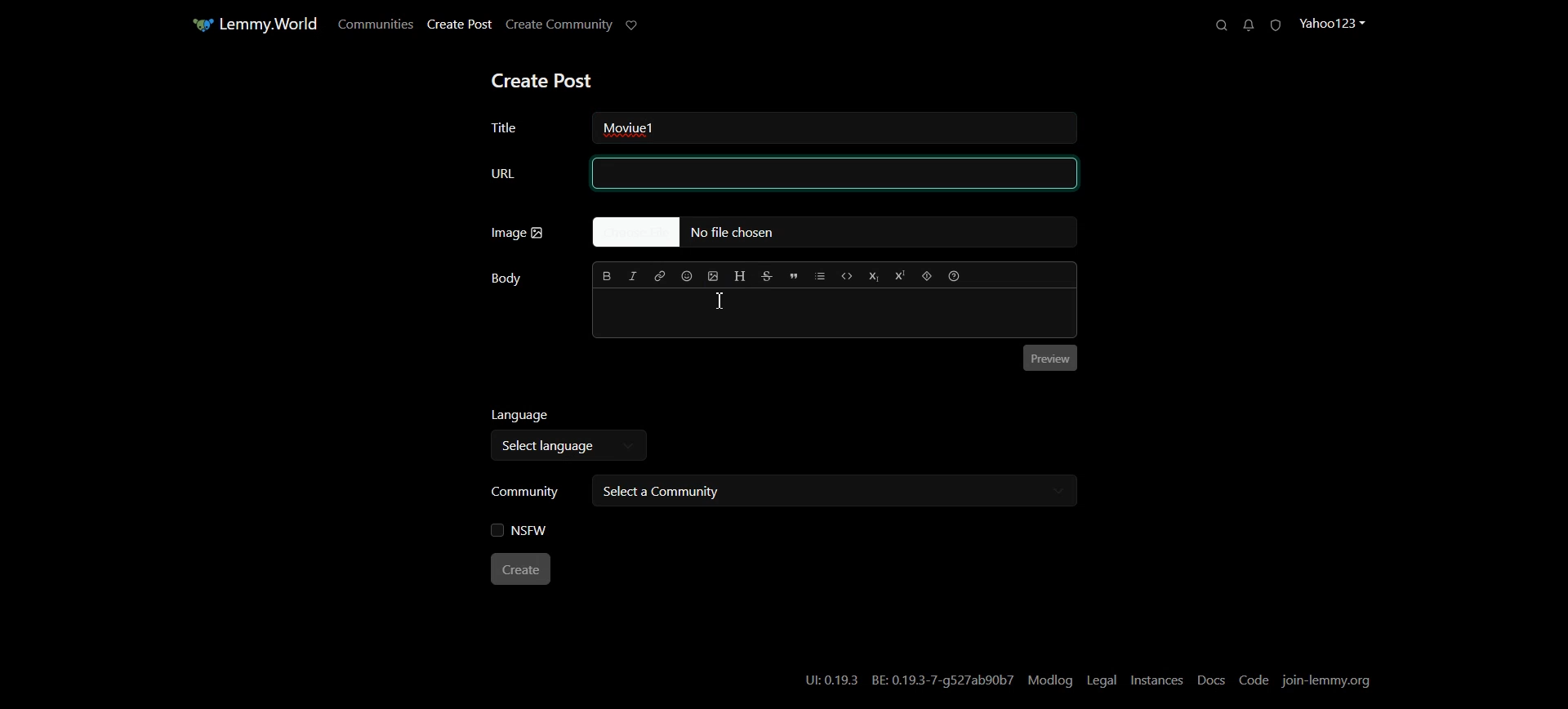  What do you see at coordinates (903, 680) in the screenshot?
I see `UI: 0.19.3 BE: 0.19.3-7-g527ab90b7` at bounding box center [903, 680].